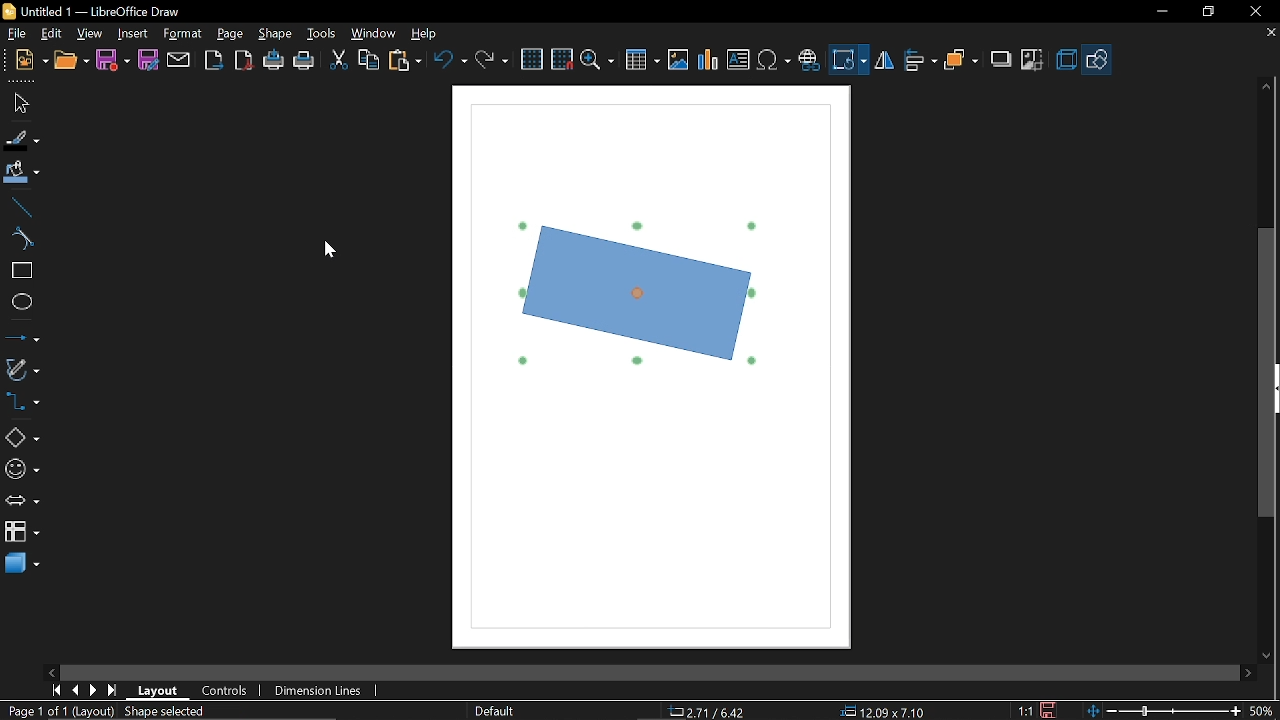  I want to click on Diagram rotated 15 degrees, so click(650, 310).